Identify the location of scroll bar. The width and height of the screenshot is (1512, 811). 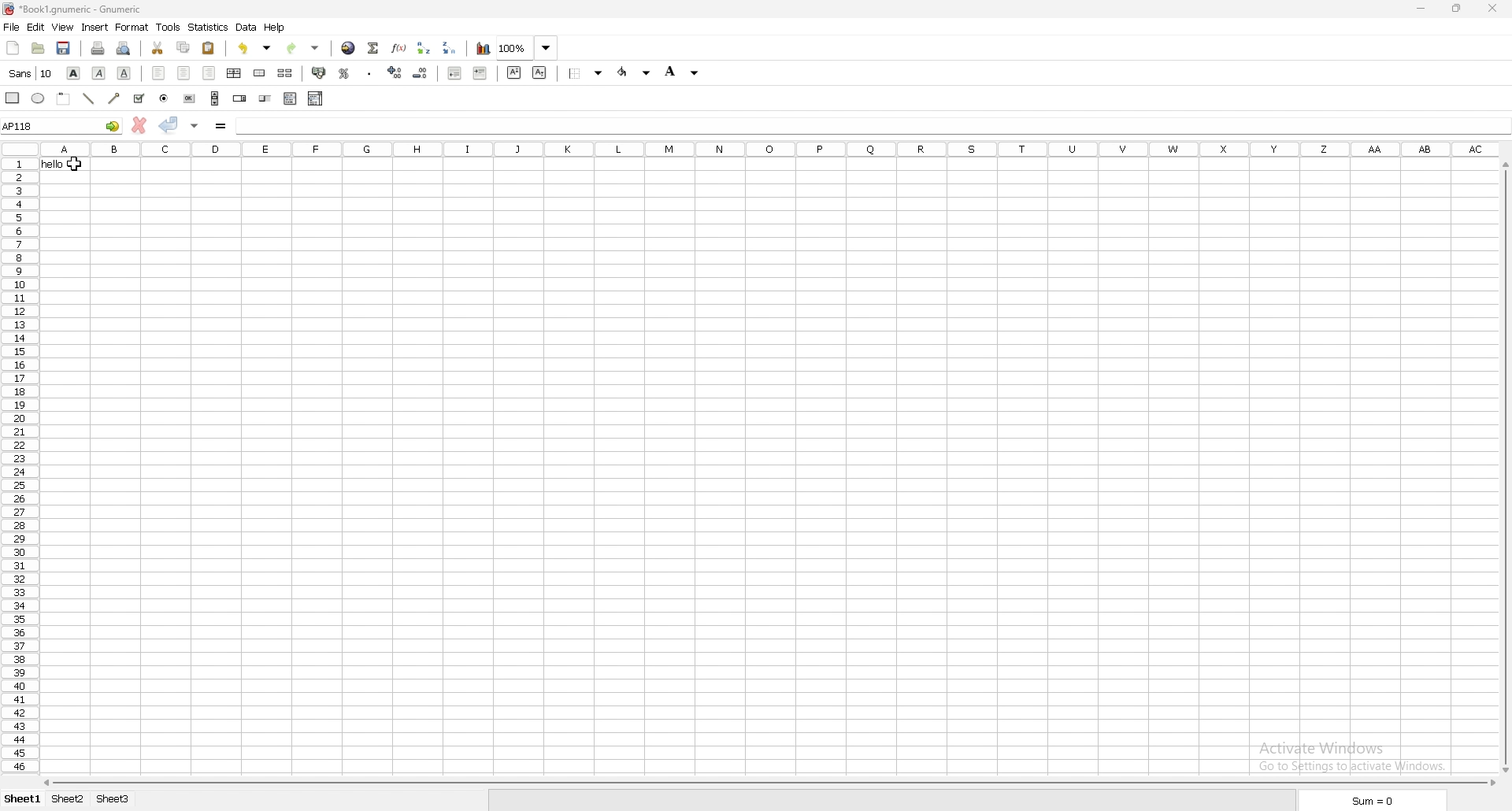
(769, 783).